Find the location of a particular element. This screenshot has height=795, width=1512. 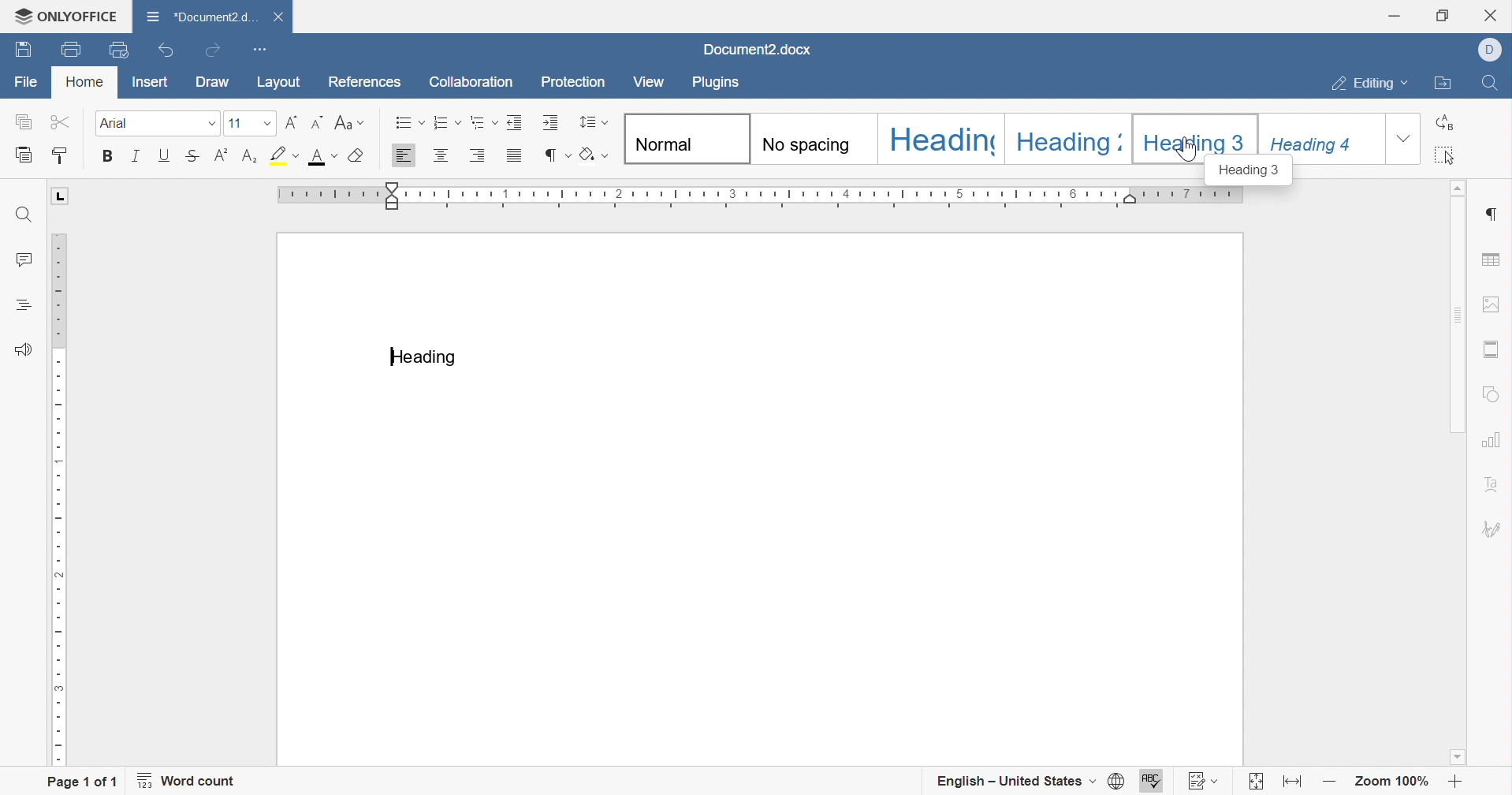

Select all is located at coordinates (1447, 155).